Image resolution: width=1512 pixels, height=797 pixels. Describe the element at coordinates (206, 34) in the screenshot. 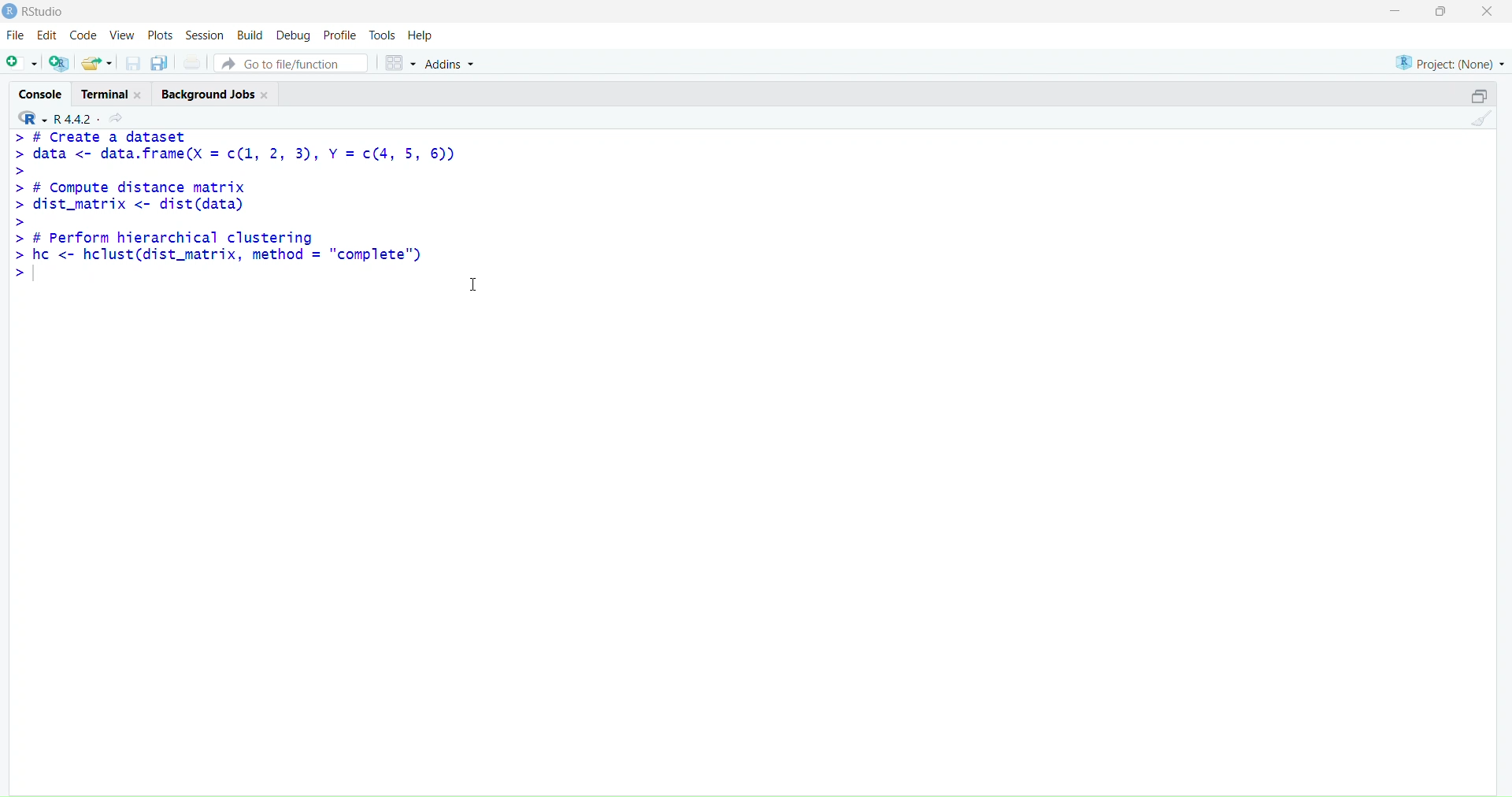

I see `Session` at that location.